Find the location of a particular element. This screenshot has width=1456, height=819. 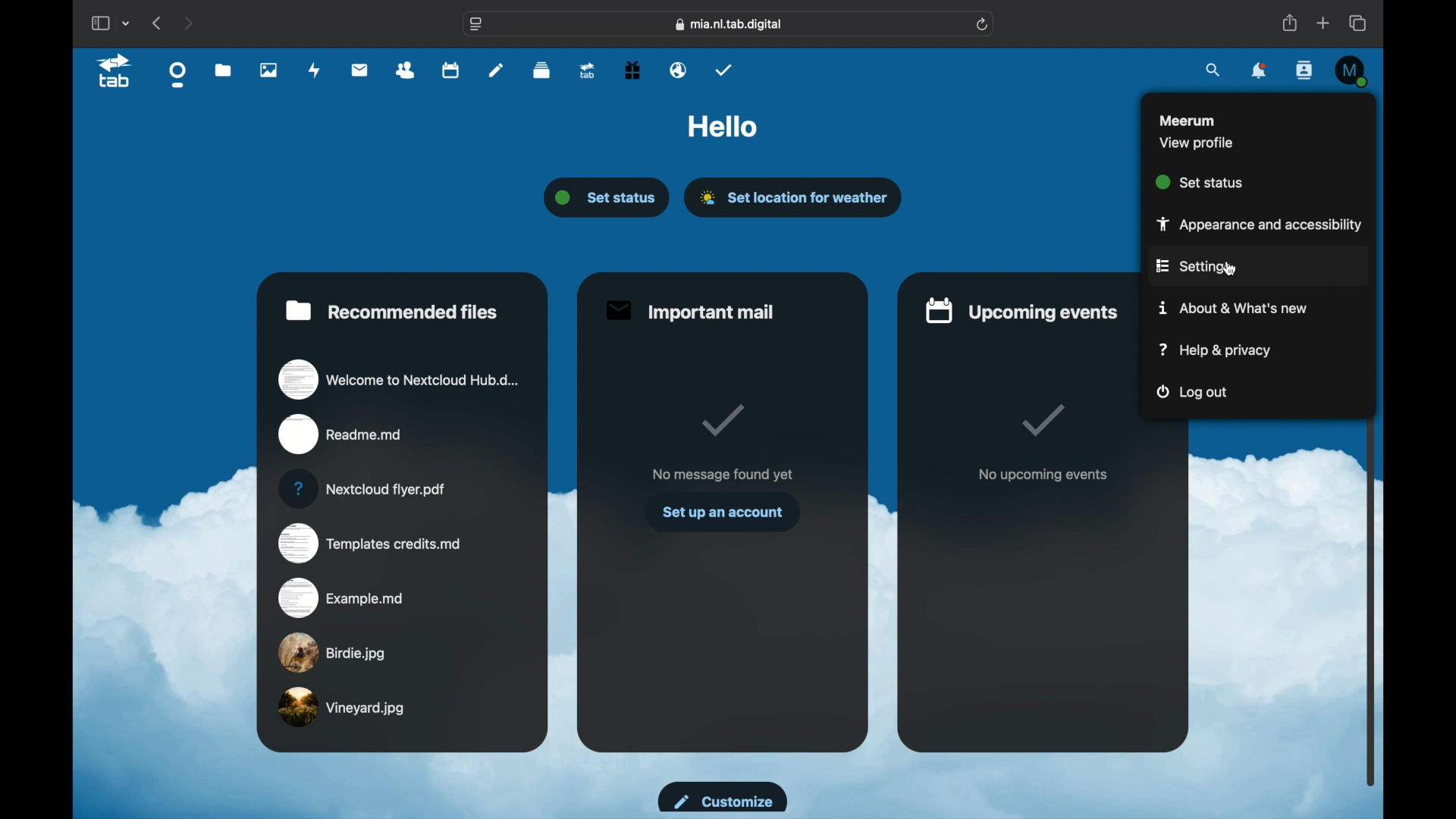

tasks is located at coordinates (724, 70).